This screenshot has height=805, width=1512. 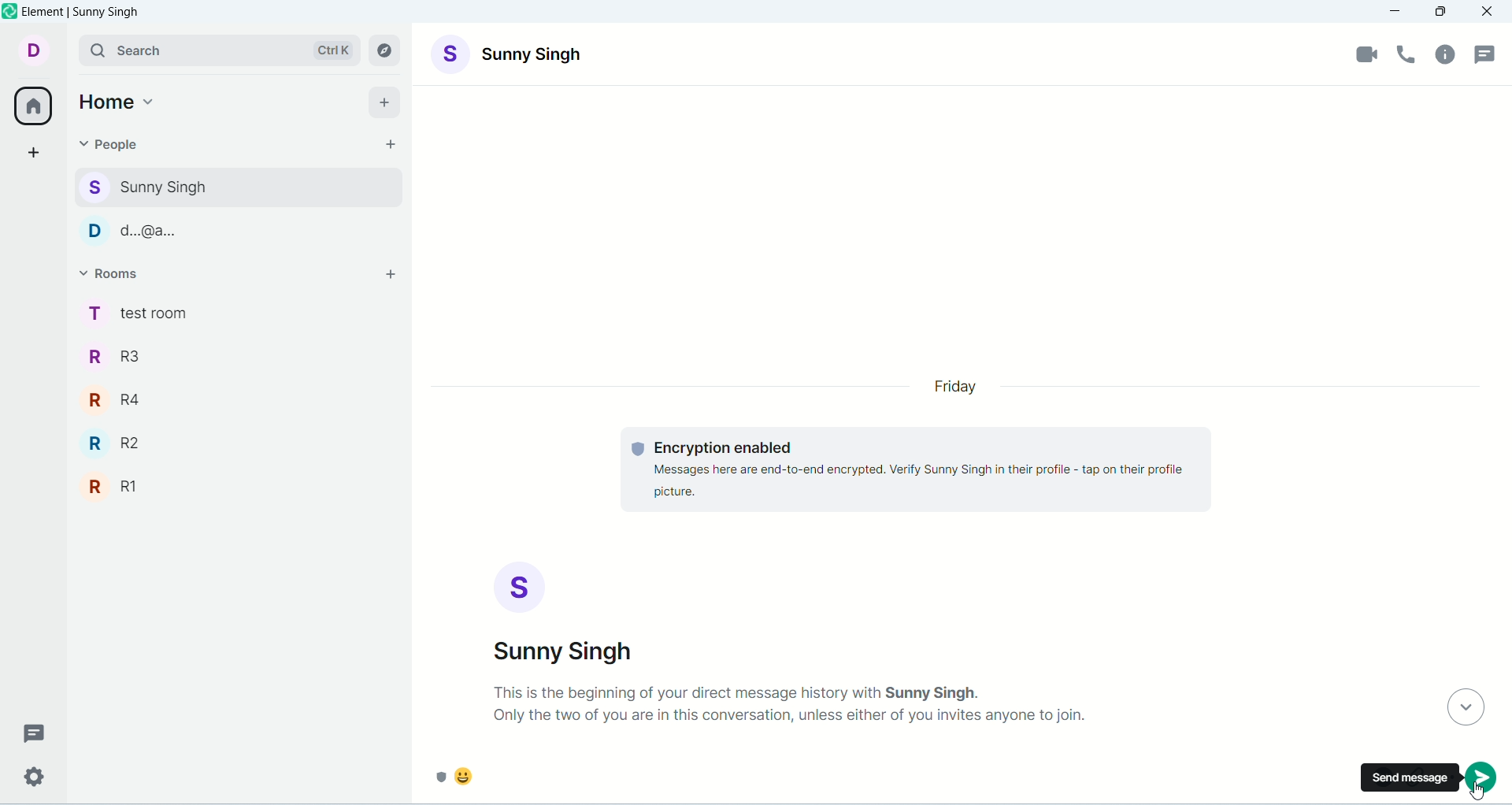 I want to click on test room, so click(x=237, y=312).